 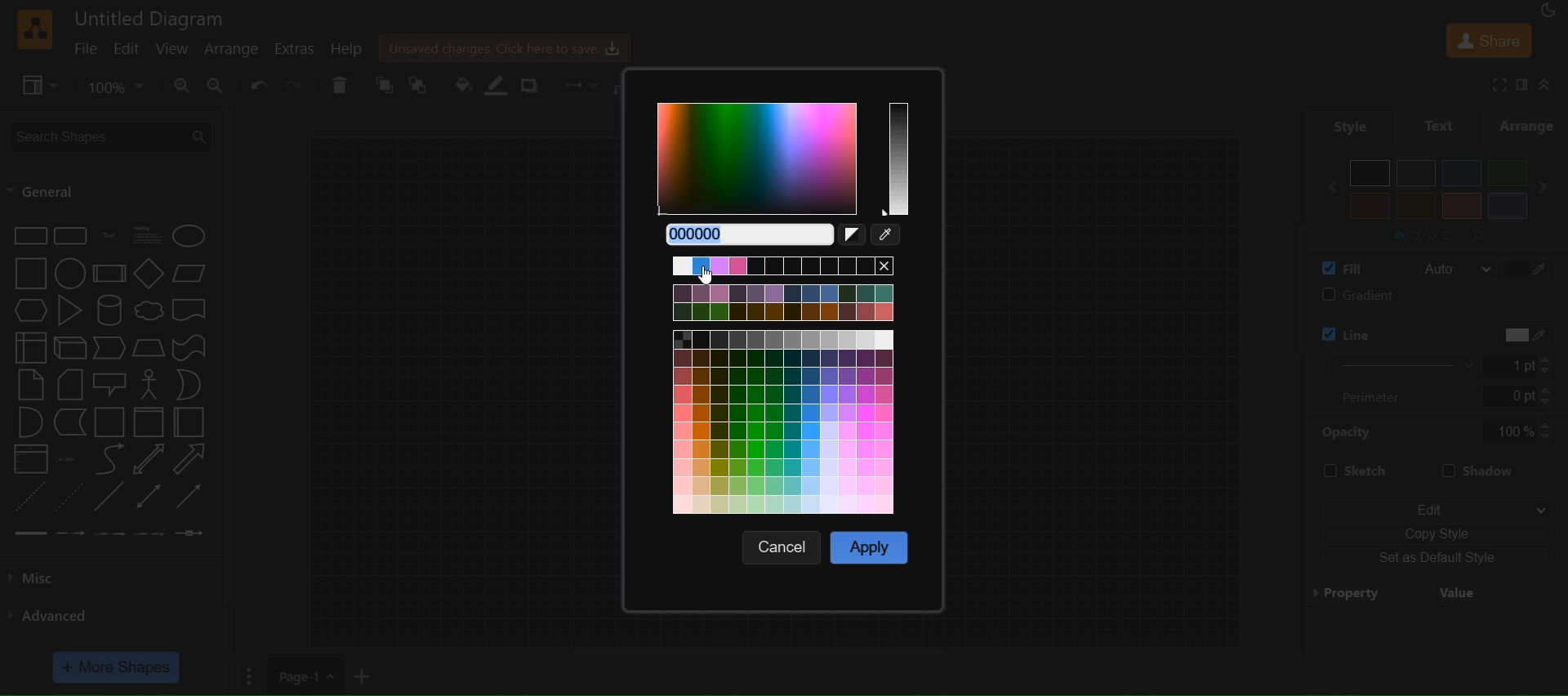 I want to click on process, so click(x=109, y=274).